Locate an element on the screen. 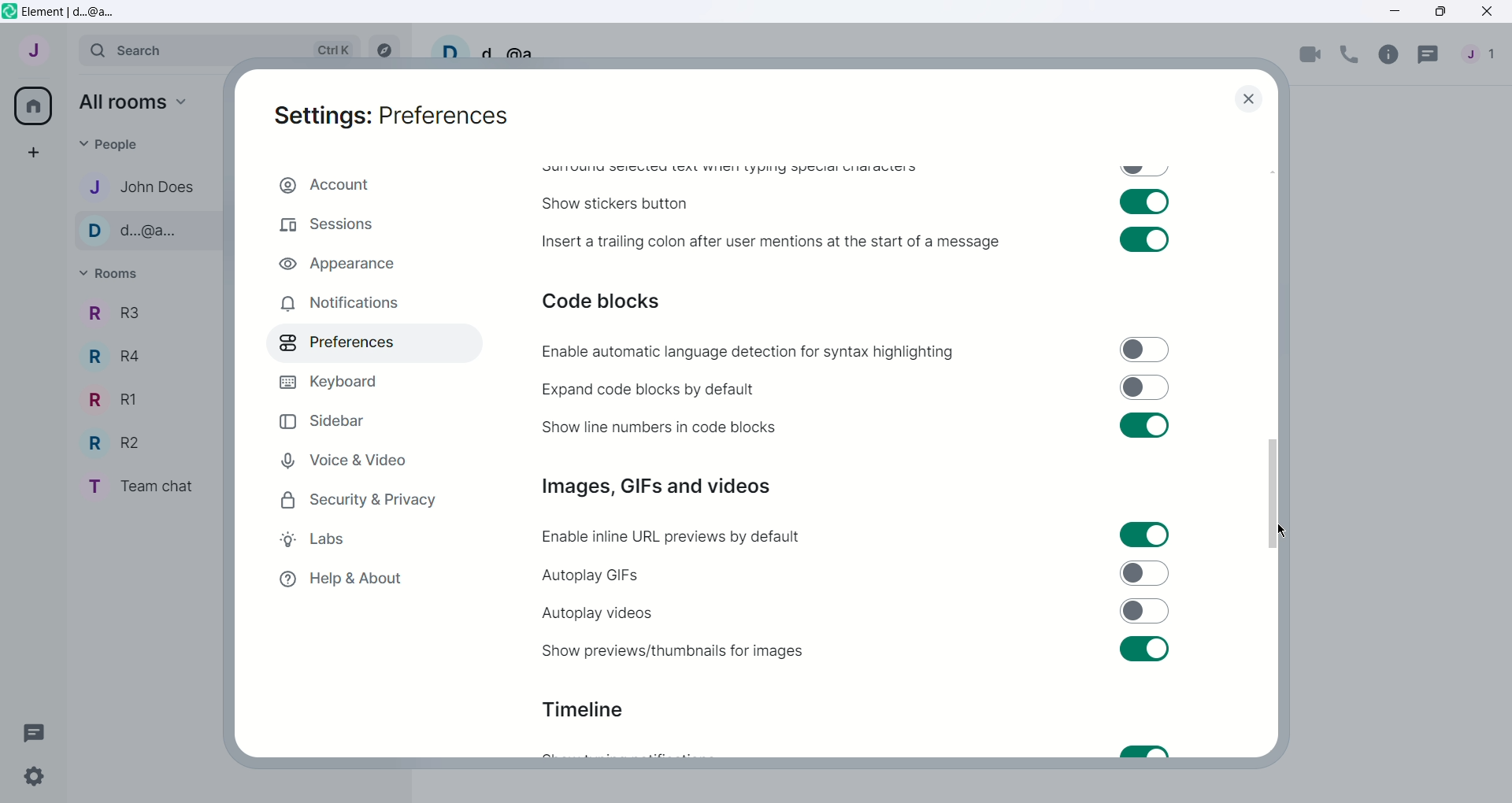  Notifications is located at coordinates (361, 303).